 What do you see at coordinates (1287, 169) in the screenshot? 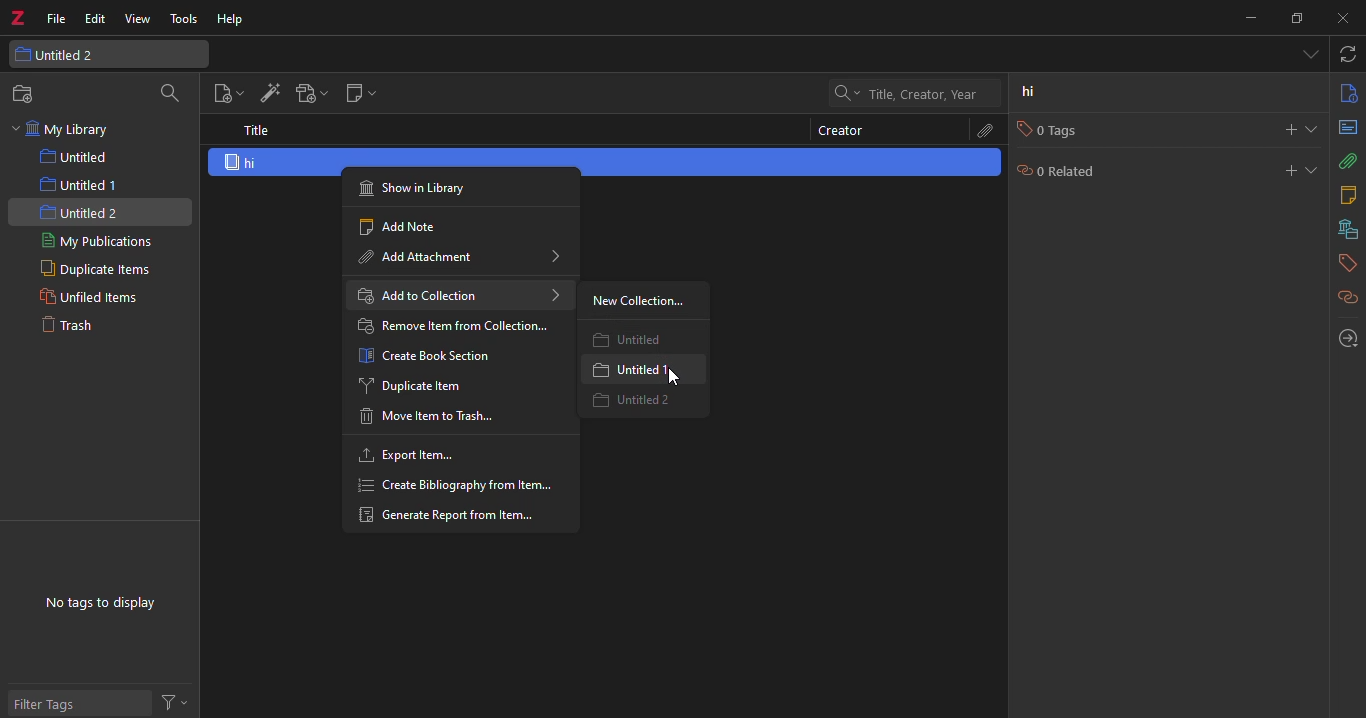
I see `add` at bounding box center [1287, 169].